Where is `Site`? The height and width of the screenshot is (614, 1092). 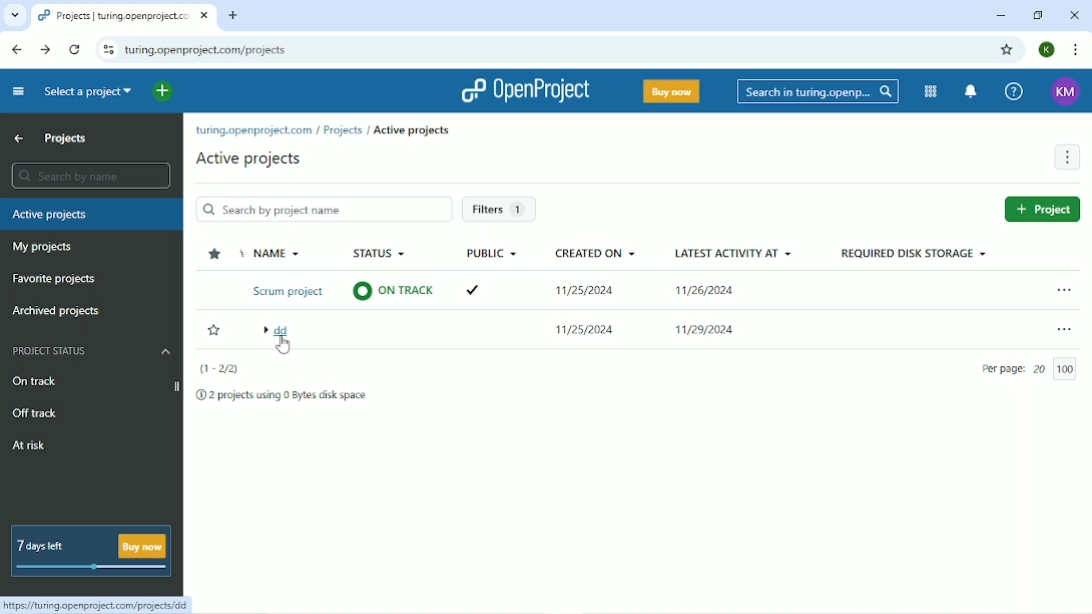 Site is located at coordinates (207, 50).